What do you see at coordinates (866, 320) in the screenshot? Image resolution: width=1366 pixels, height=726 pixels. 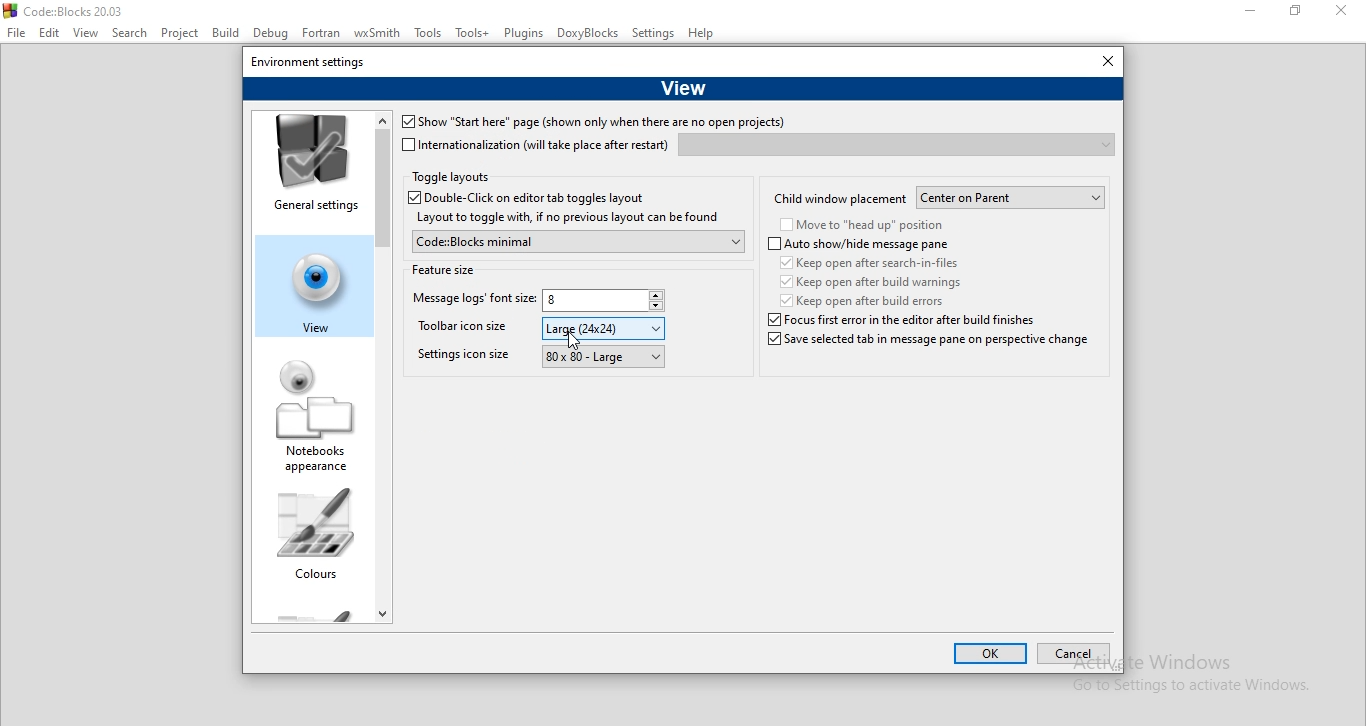 I see `Focus first error in the editor after build finishes` at bounding box center [866, 320].